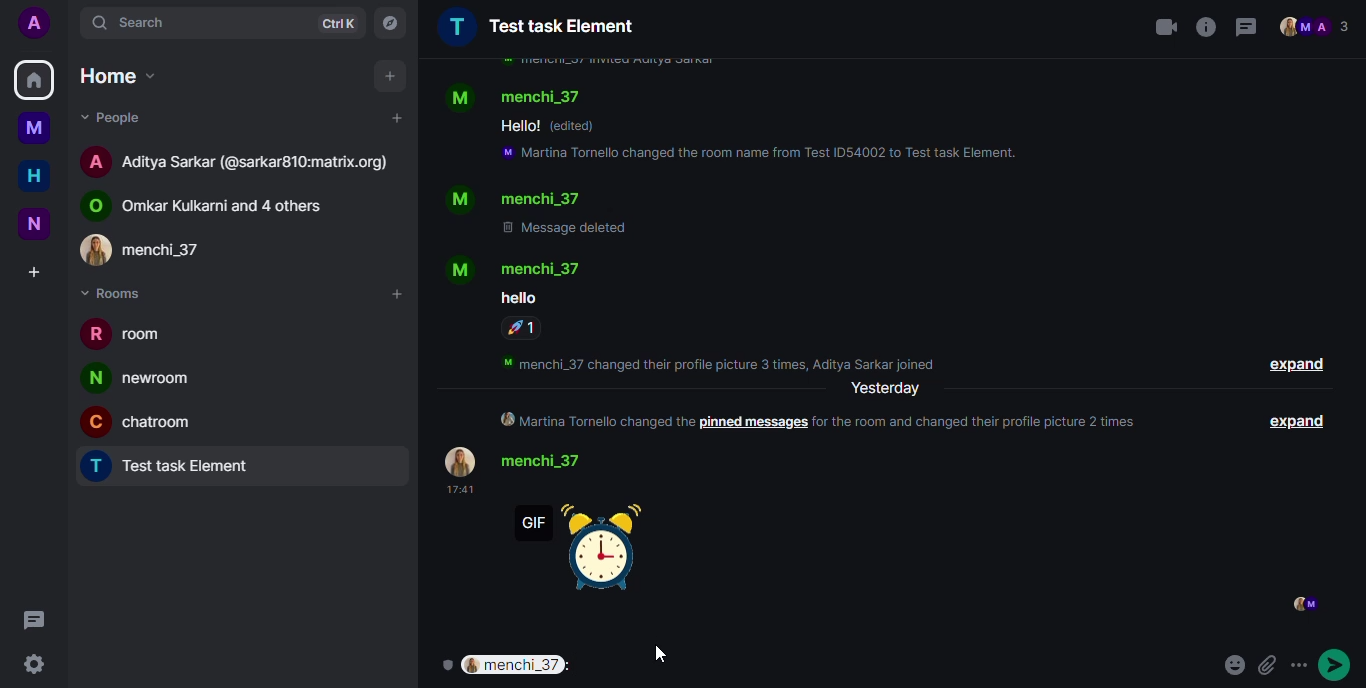 Image resolution: width=1366 pixels, height=688 pixels. Describe the element at coordinates (389, 22) in the screenshot. I see `explore rooms` at that location.